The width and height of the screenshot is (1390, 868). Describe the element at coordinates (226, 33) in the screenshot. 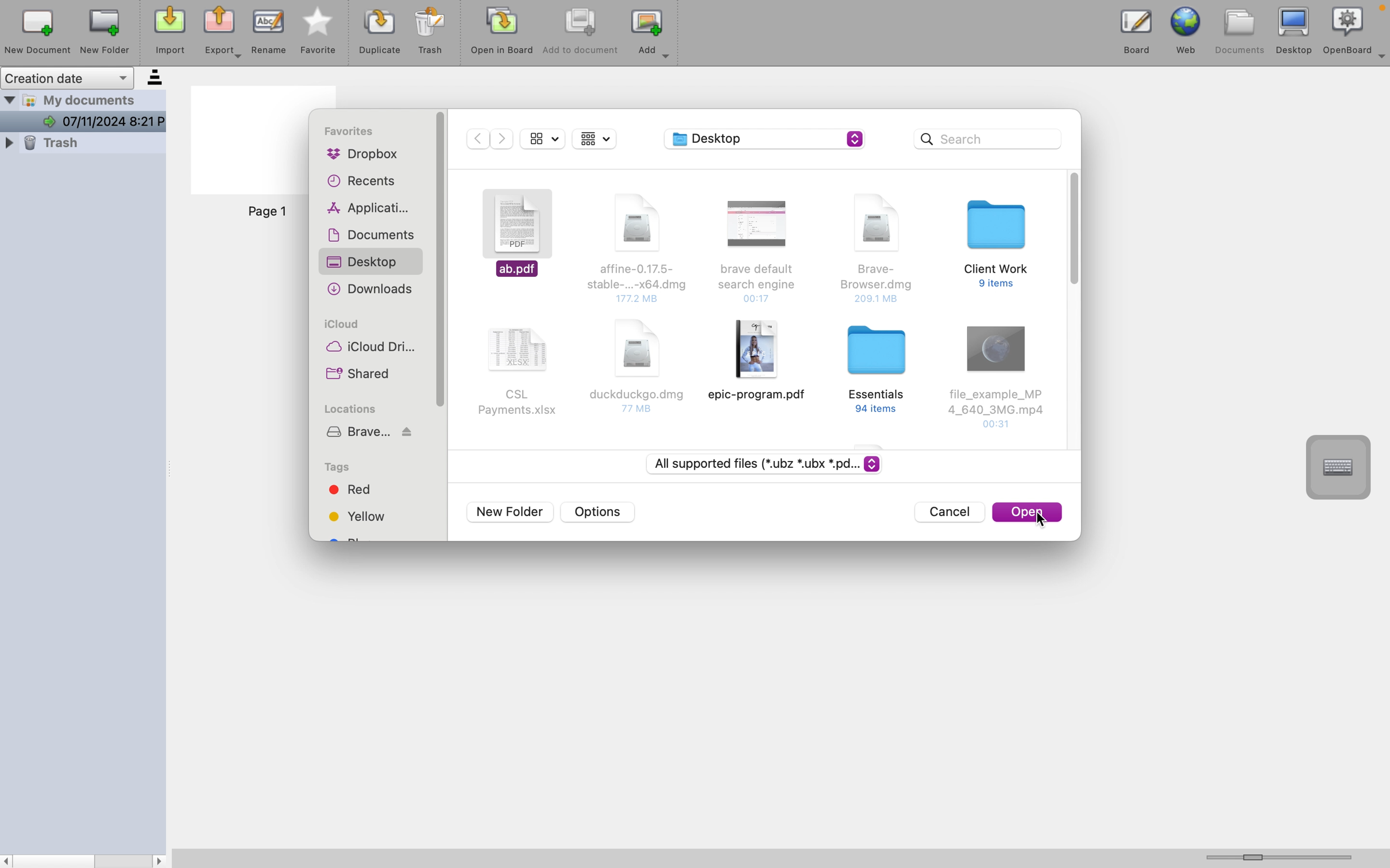

I see `export` at that location.